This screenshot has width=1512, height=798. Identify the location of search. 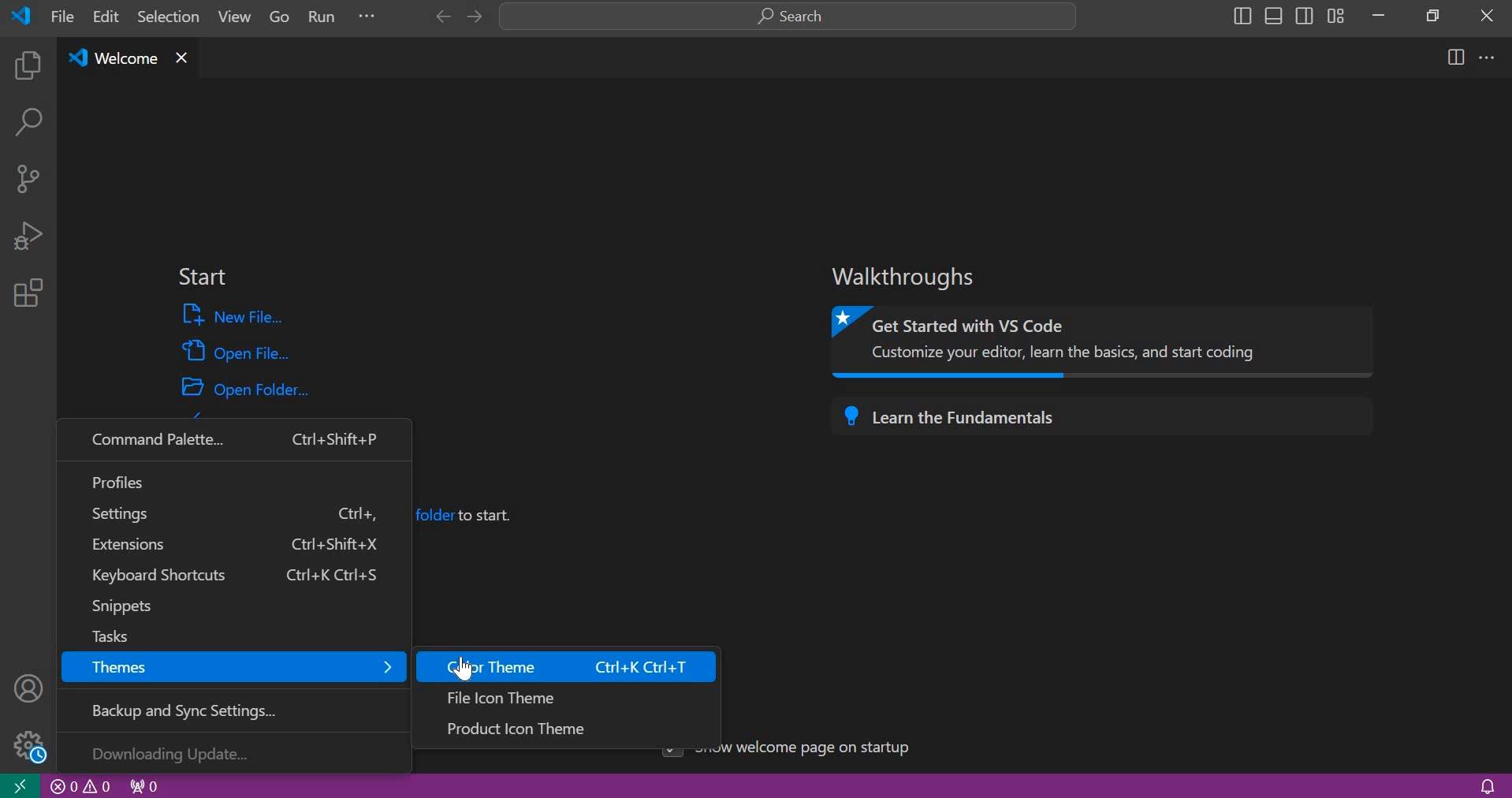
(28, 125).